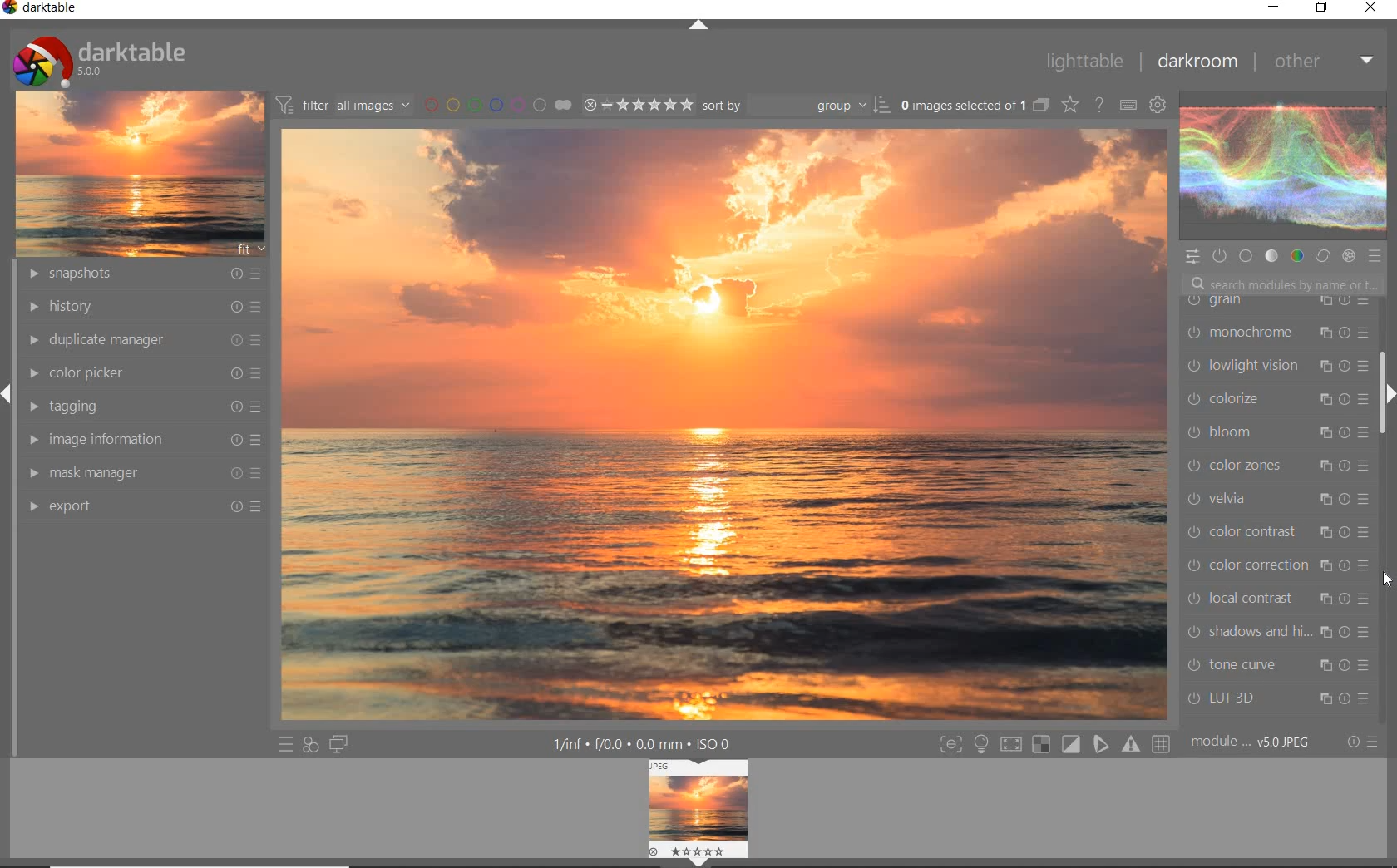  What do you see at coordinates (1273, 563) in the screenshot?
I see `color correction` at bounding box center [1273, 563].